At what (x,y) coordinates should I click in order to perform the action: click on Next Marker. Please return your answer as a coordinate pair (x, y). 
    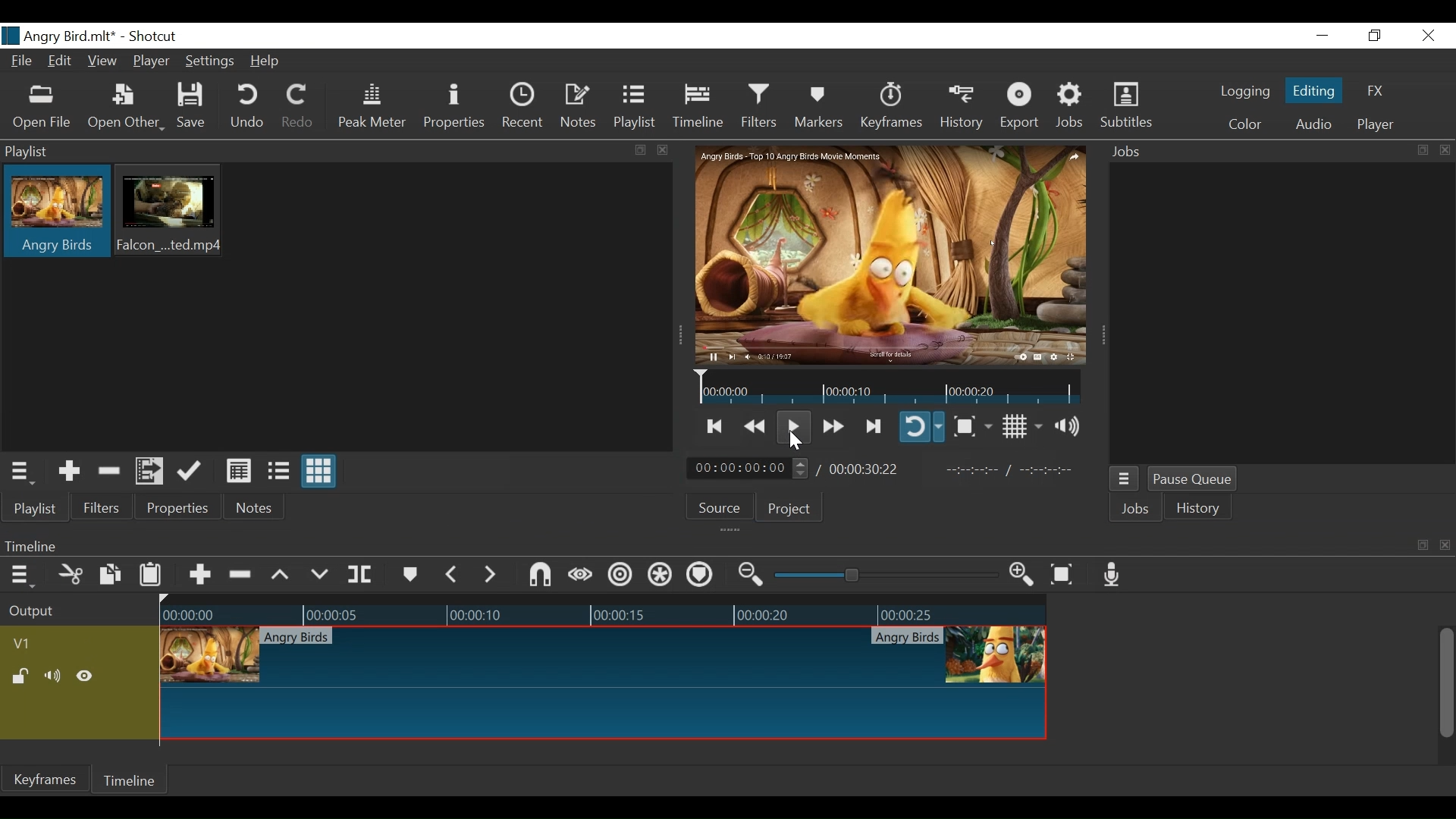
    Looking at the image, I should click on (490, 574).